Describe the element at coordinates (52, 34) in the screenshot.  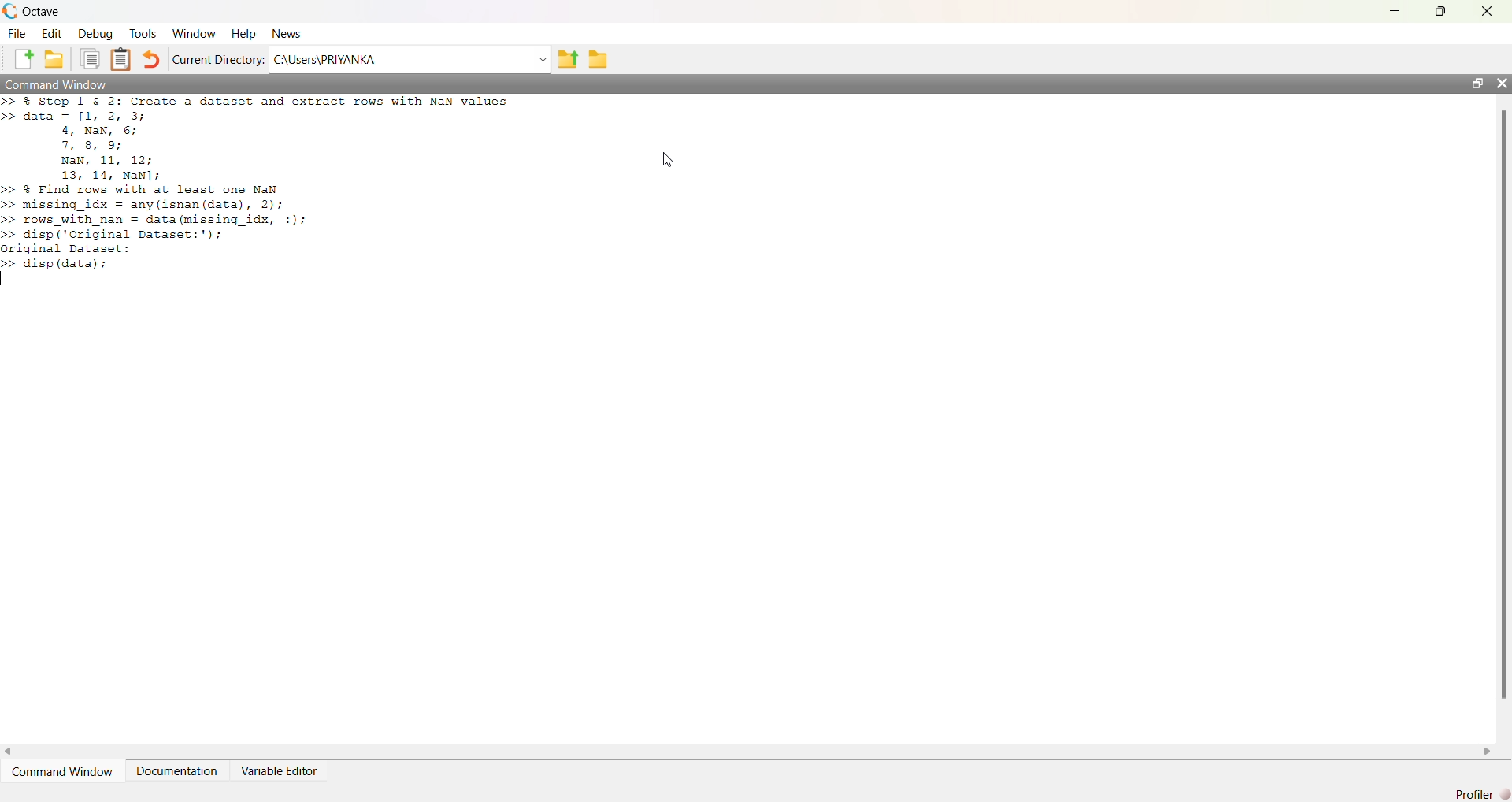
I see `Edit` at that location.